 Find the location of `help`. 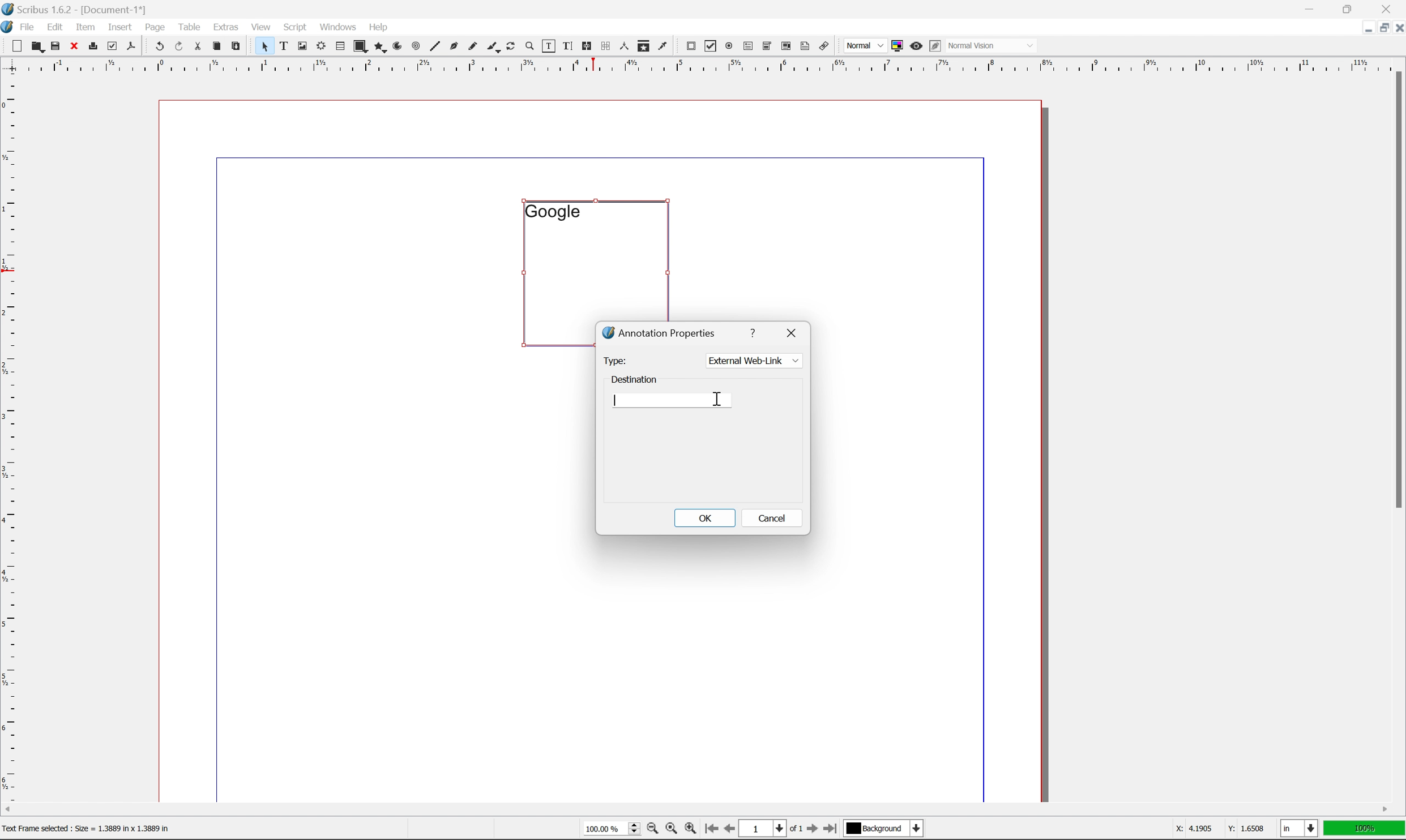

help is located at coordinates (755, 331).